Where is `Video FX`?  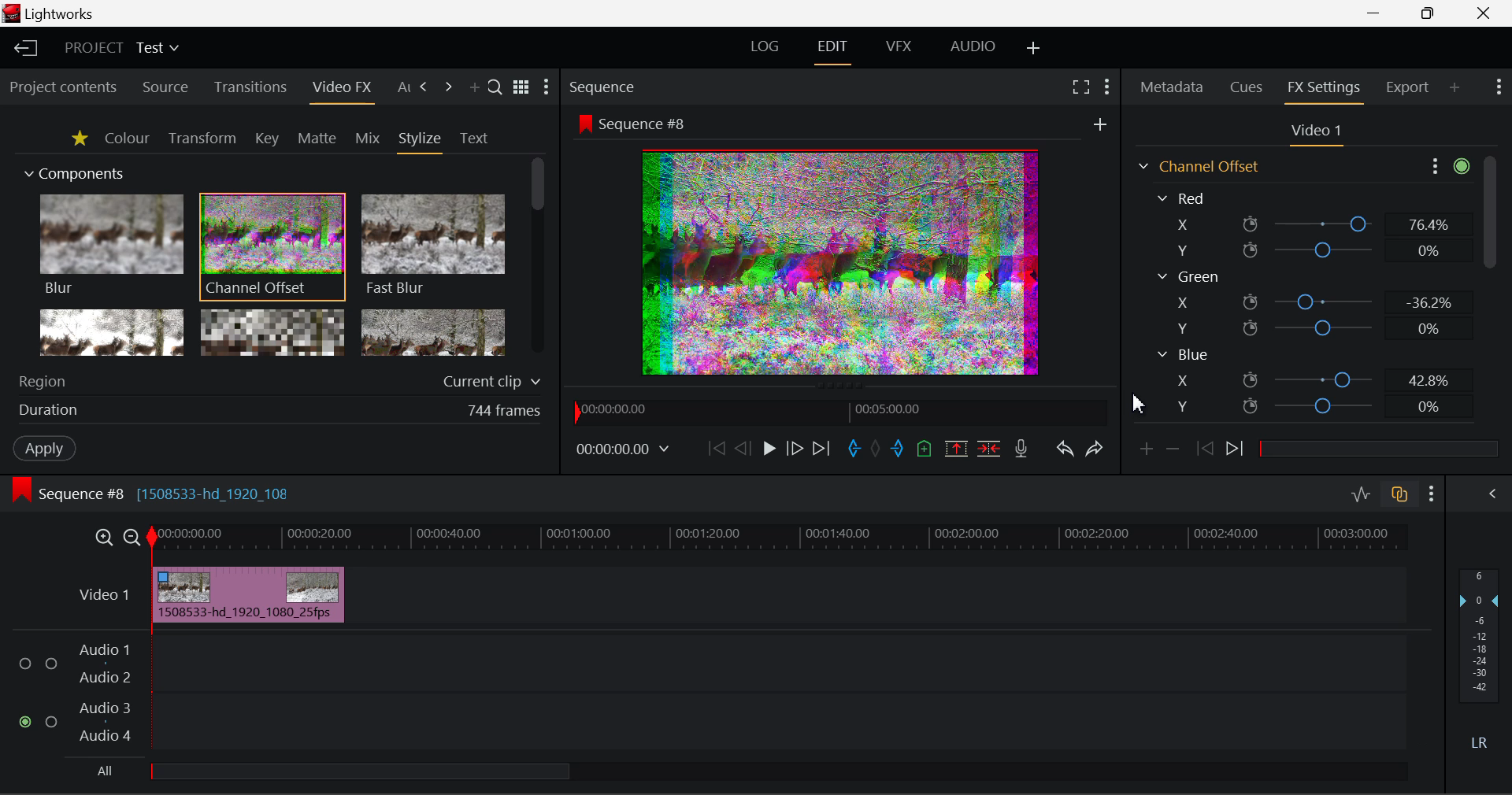
Video FX is located at coordinates (341, 91).